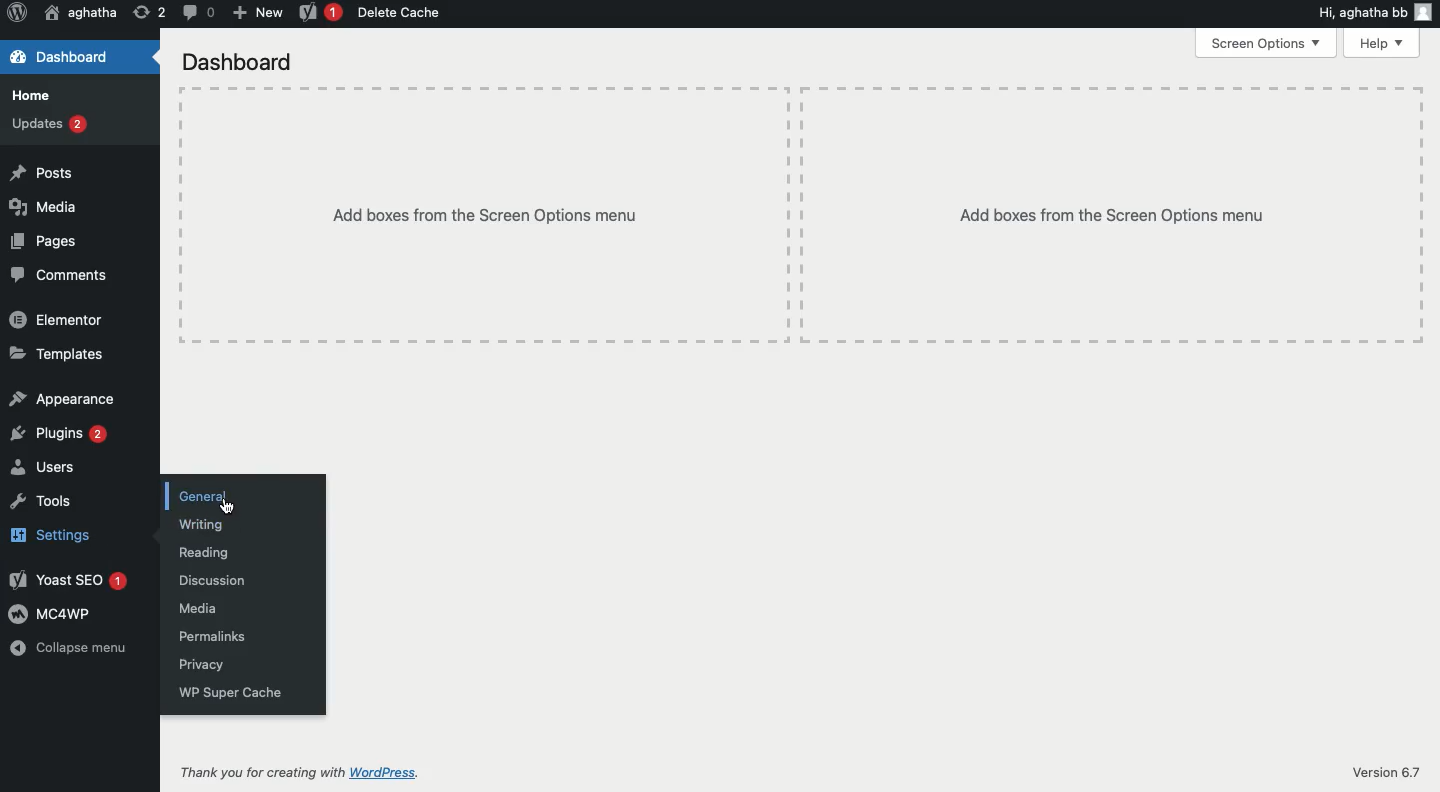  What do you see at coordinates (56, 434) in the screenshot?
I see `Plugins` at bounding box center [56, 434].